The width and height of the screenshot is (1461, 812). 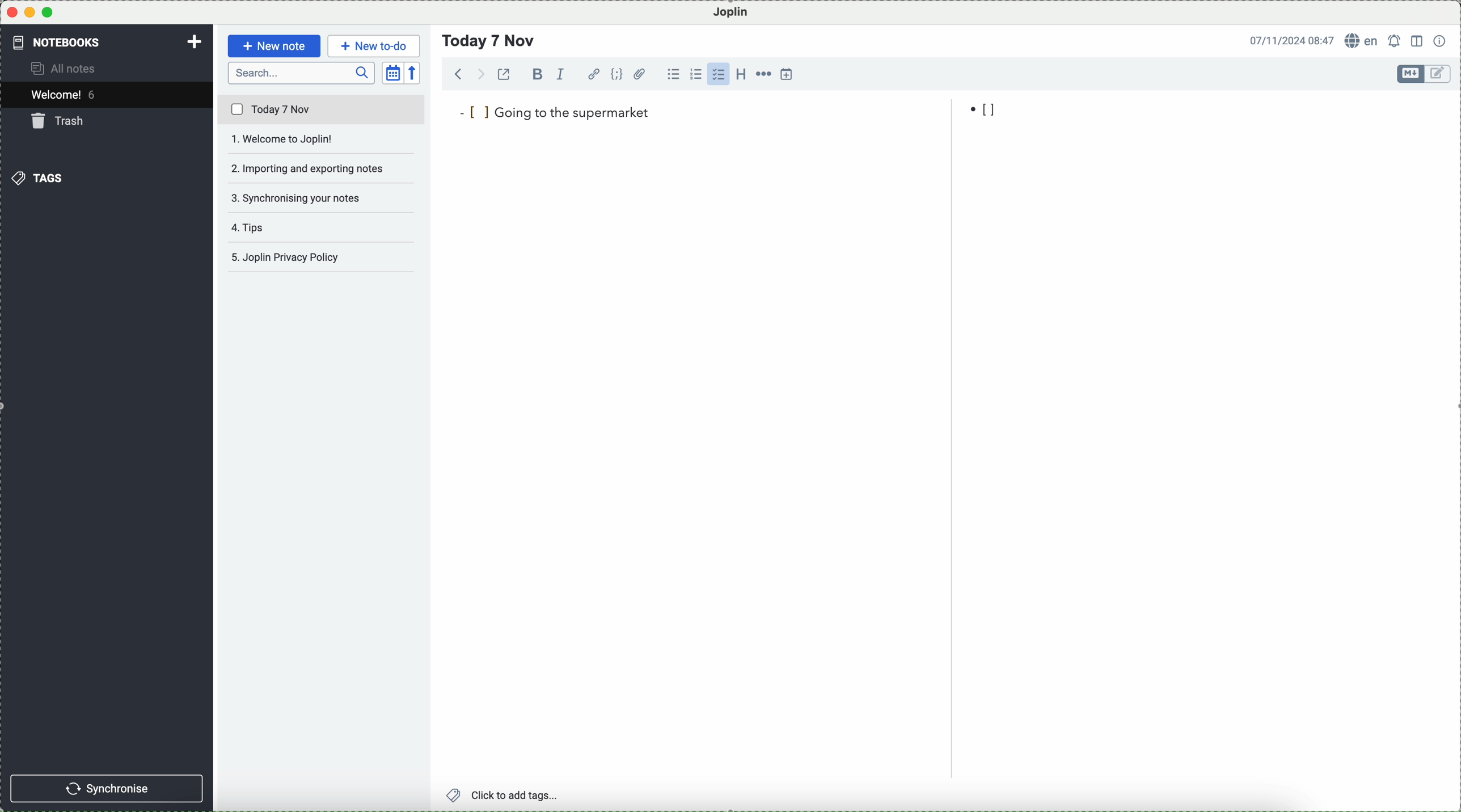 What do you see at coordinates (640, 74) in the screenshot?
I see `attach file` at bounding box center [640, 74].